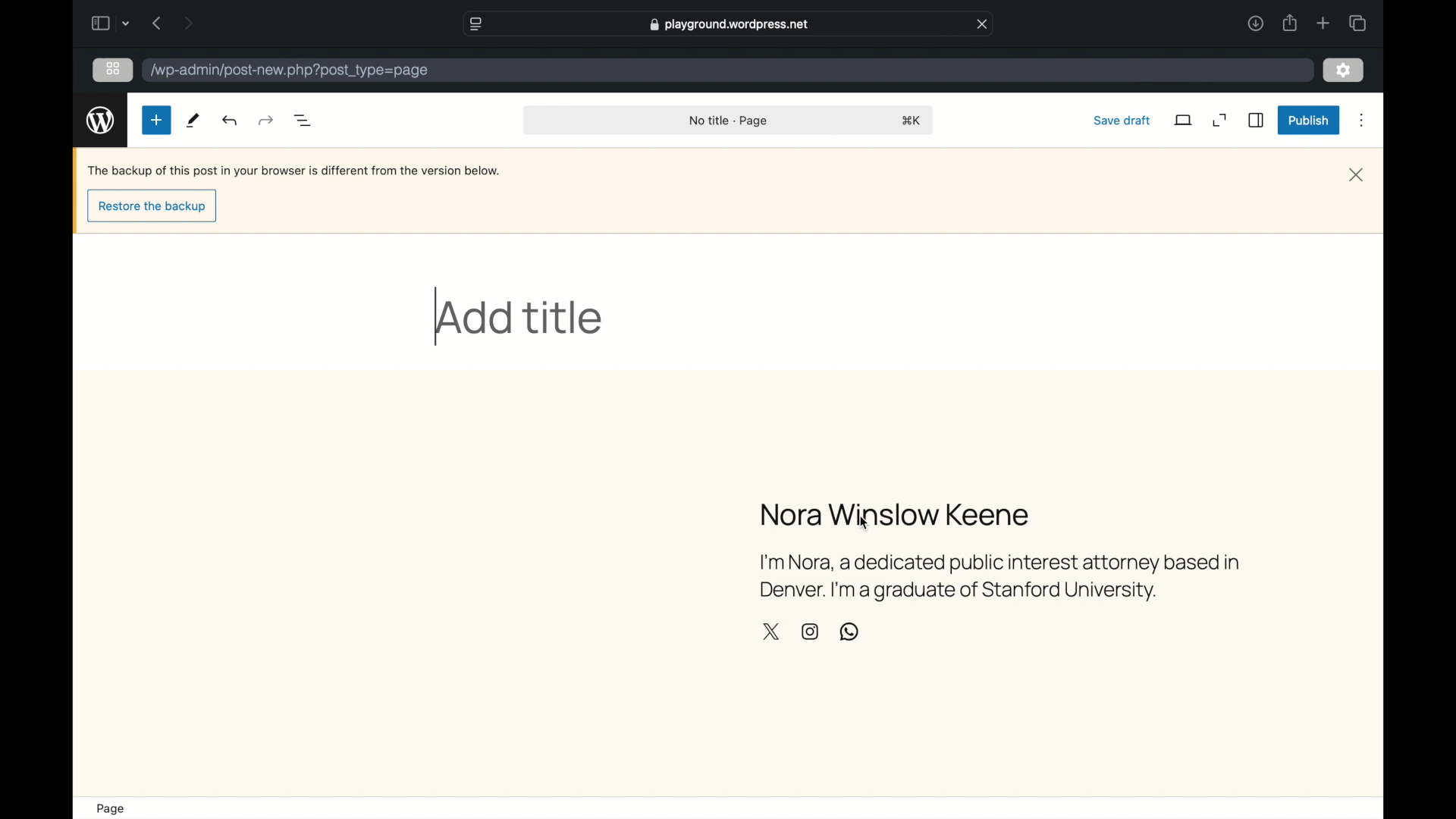  I want to click on close, so click(982, 24).